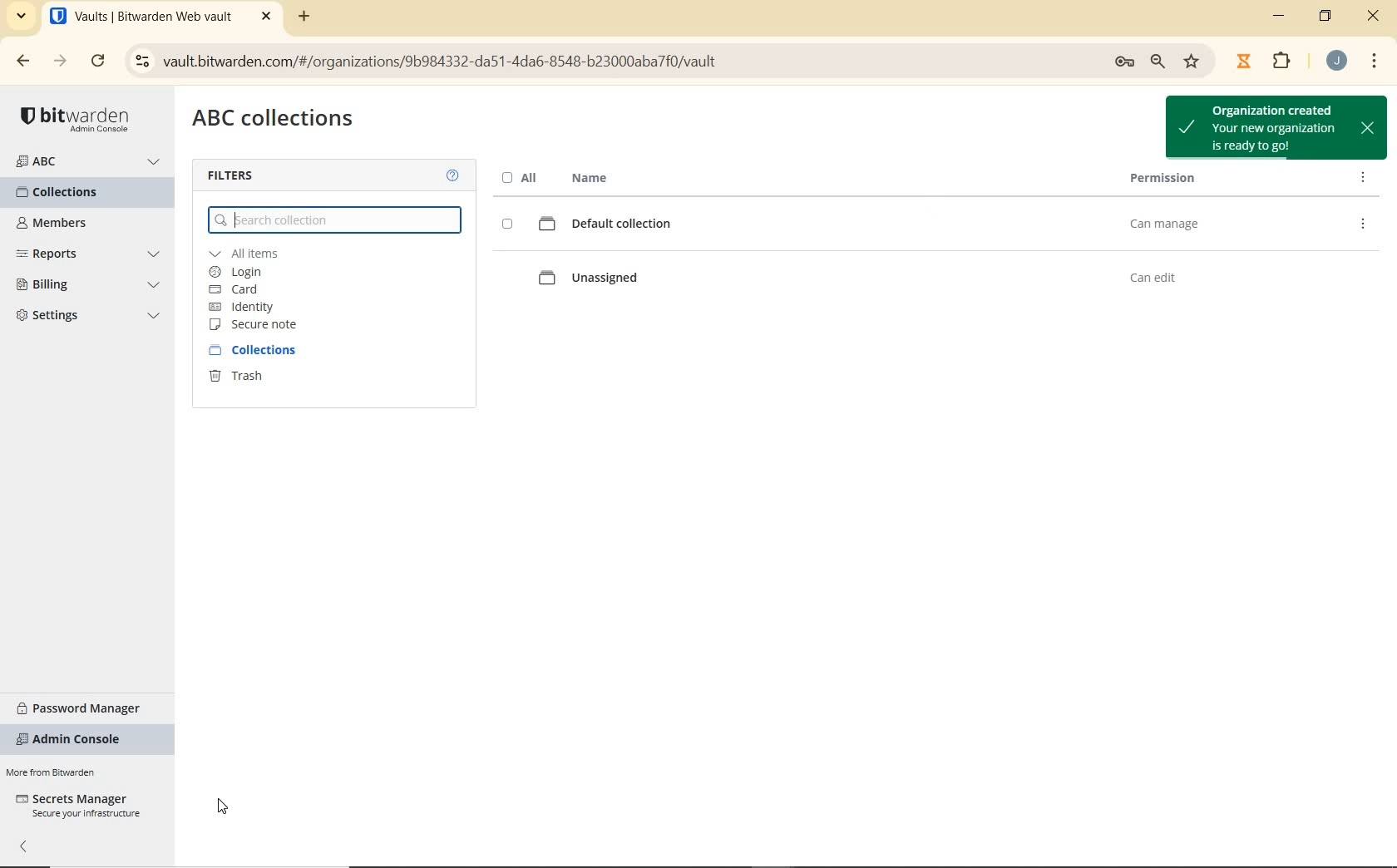  What do you see at coordinates (939, 280) in the screenshot?
I see `unassigned` at bounding box center [939, 280].